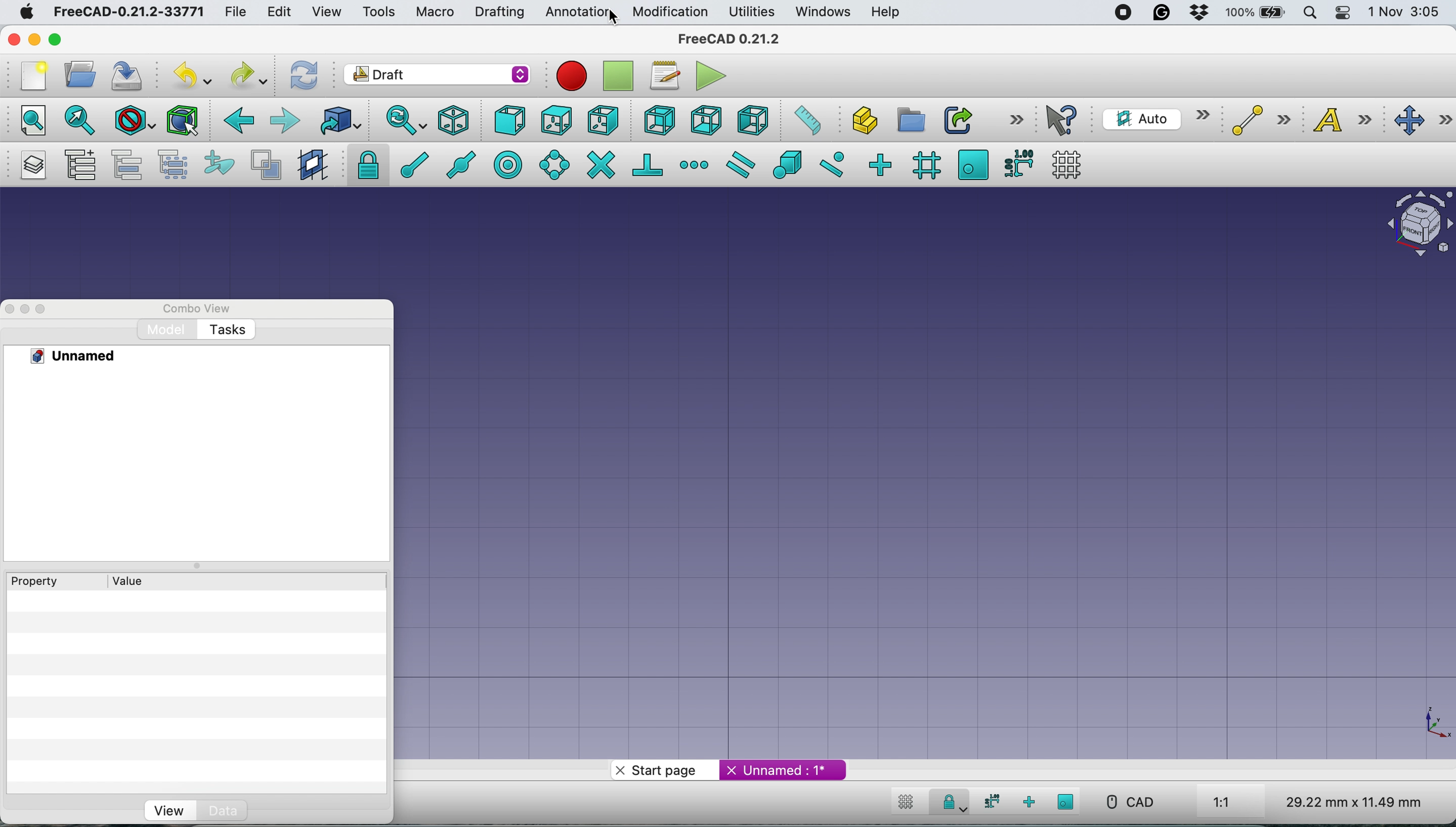 The width and height of the screenshot is (1456, 827). Describe the element at coordinates (1017, 165) in the screenshot. I see `snap dimensions` at that location.